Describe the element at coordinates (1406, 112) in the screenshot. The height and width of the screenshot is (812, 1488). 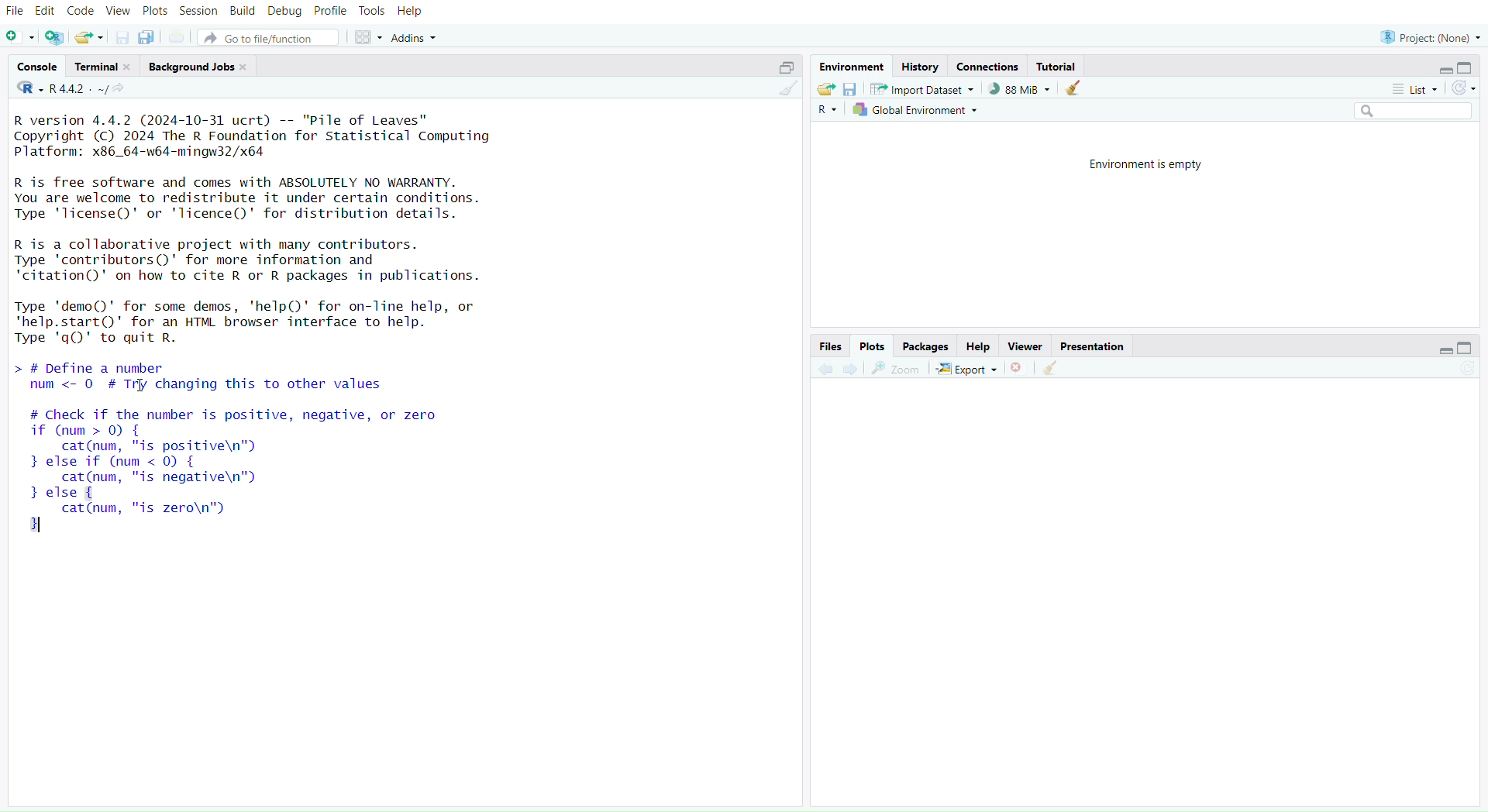
I see `search` at that location.